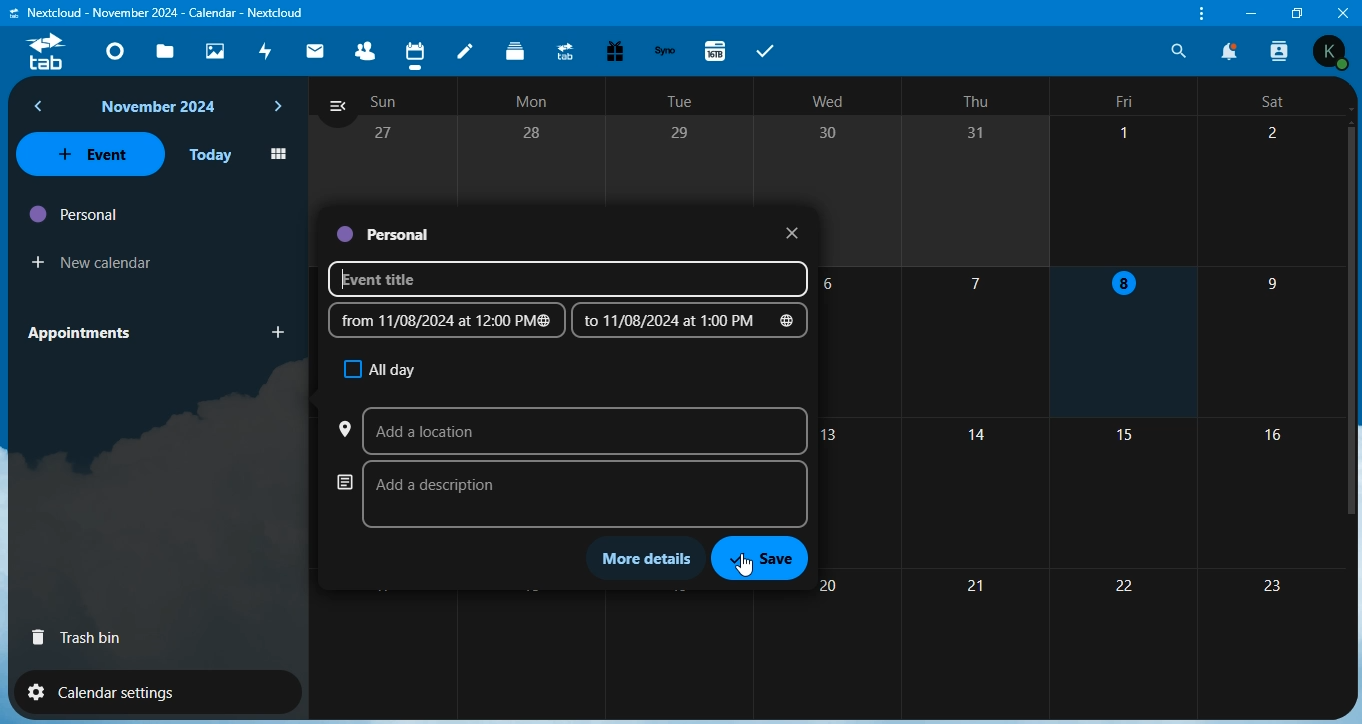  What do you see at coordinates (767, 50) in the screenshot?
I see `tabs` at bounding box center [767, 50].